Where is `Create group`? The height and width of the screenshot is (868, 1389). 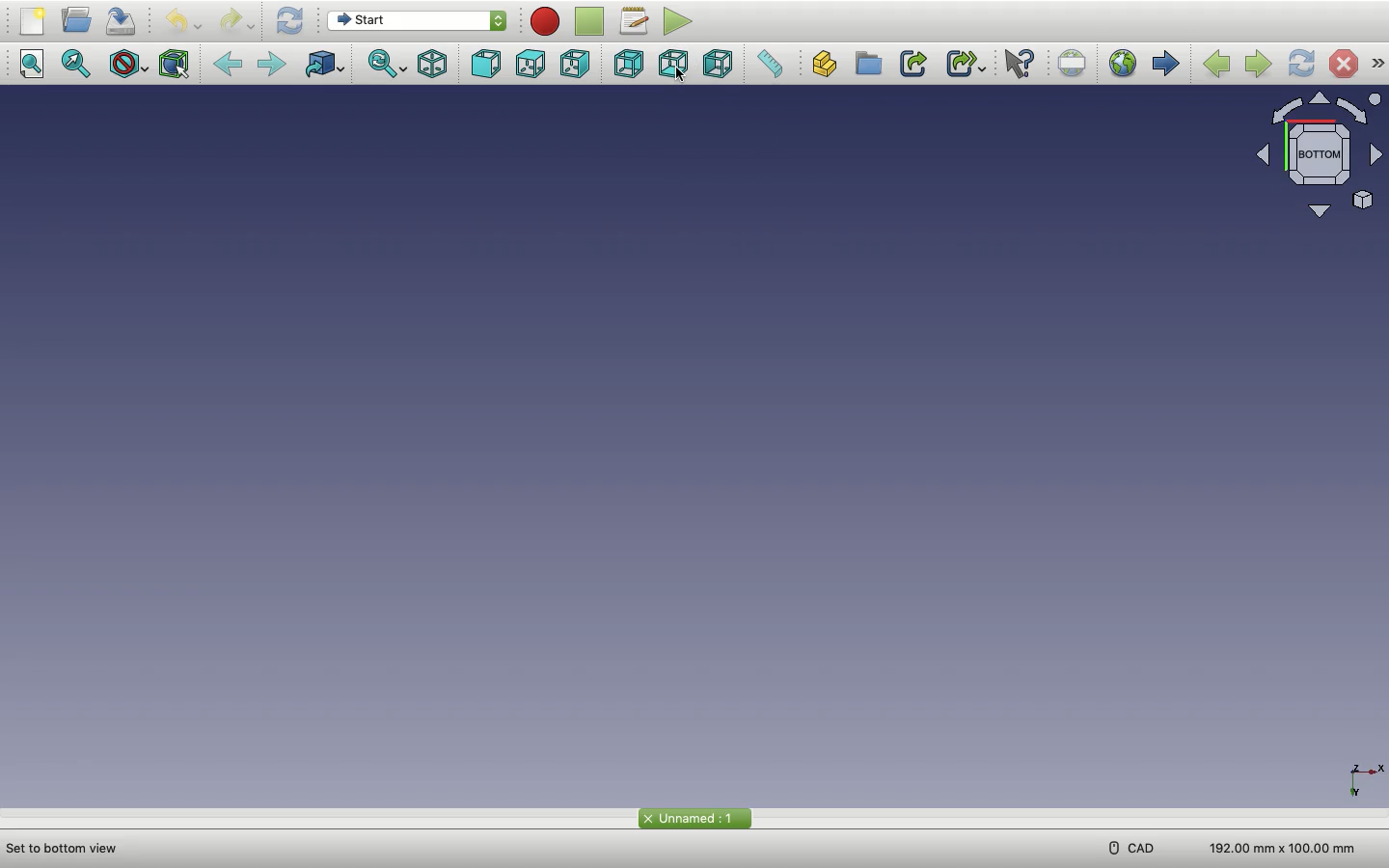
Create group is located at coordinates (870, 64).